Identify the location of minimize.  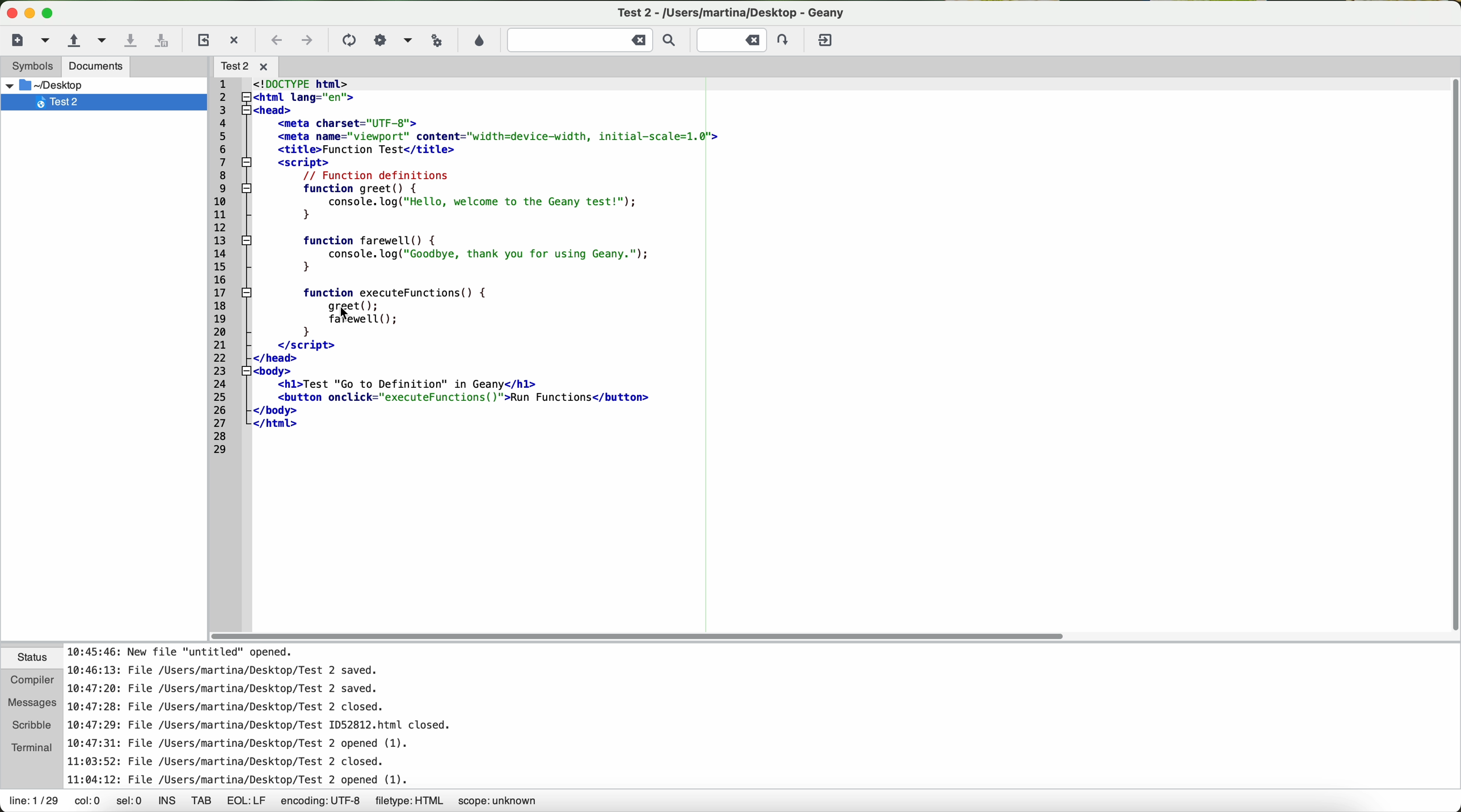
(30, 14).